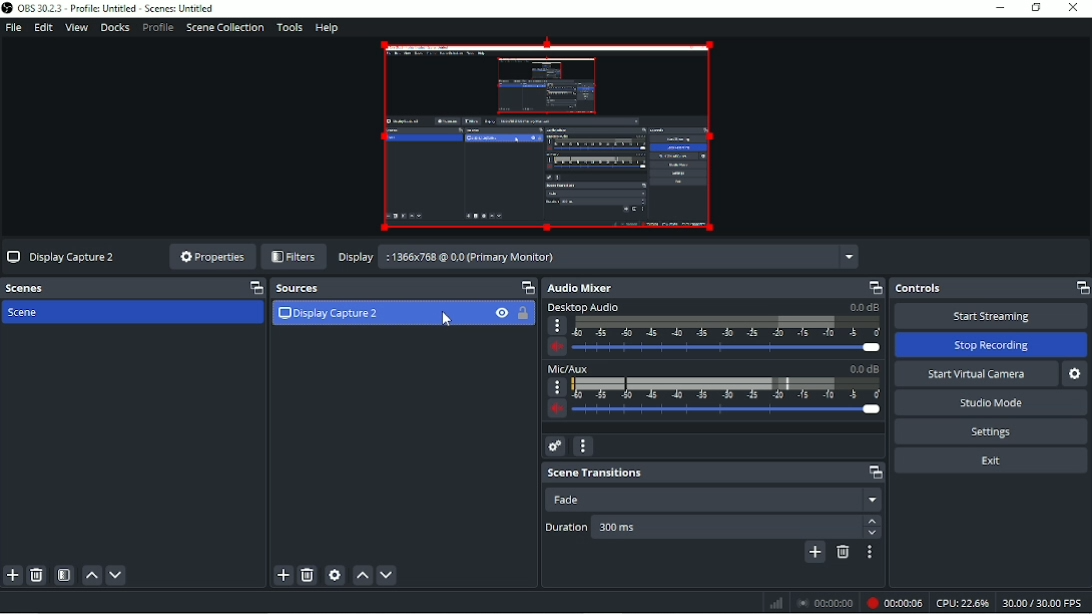 The width and height of the screenshot is (1092, 614). I want to click on Video Preview, so click(546, 136).